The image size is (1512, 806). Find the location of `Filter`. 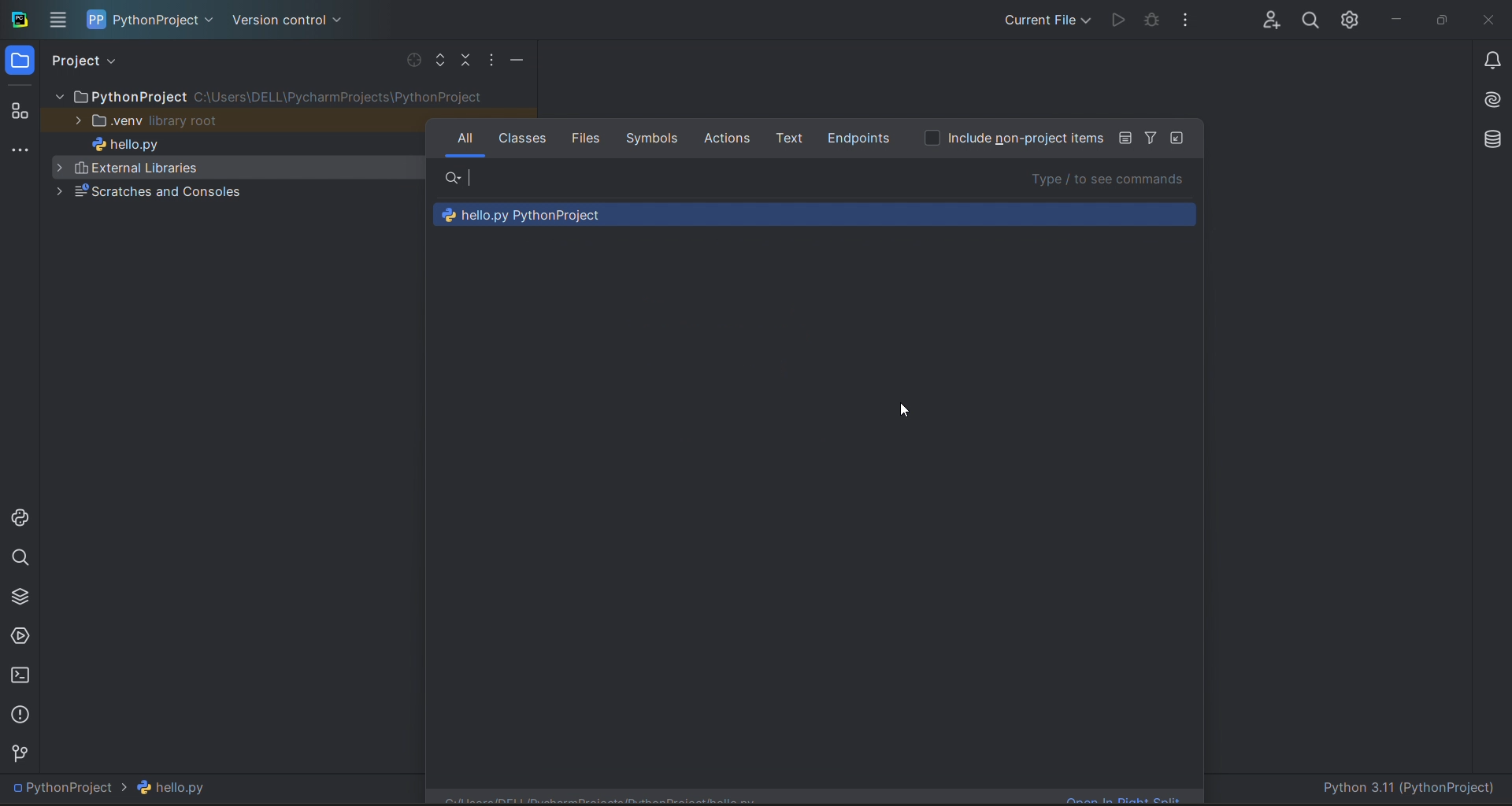

Filter is located at coordinates (1152, 136).